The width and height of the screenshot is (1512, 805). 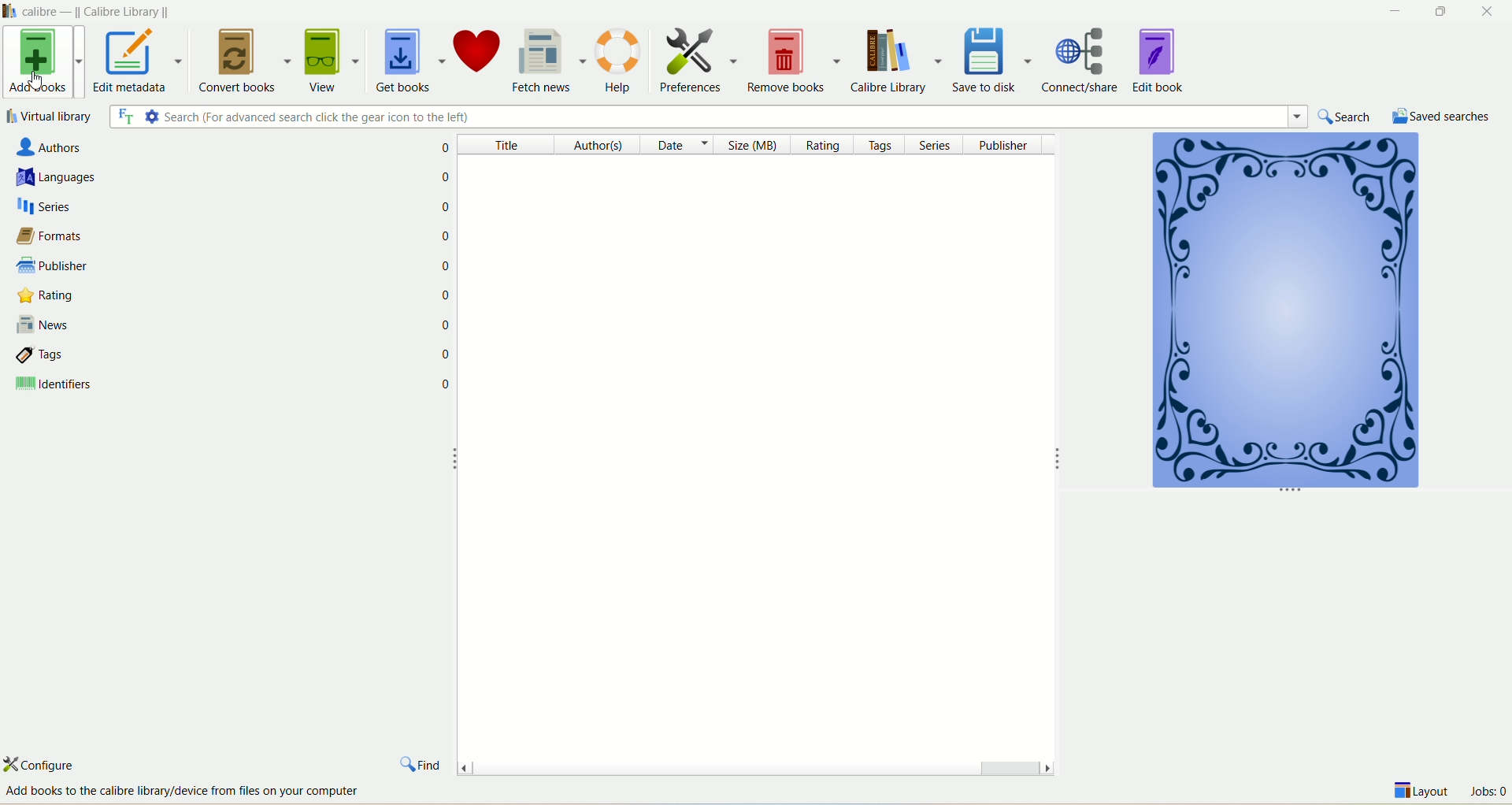 What do you see at coordinates (883, 146) in the screenshot?
I see `tags` at bounding box center [883, 146].